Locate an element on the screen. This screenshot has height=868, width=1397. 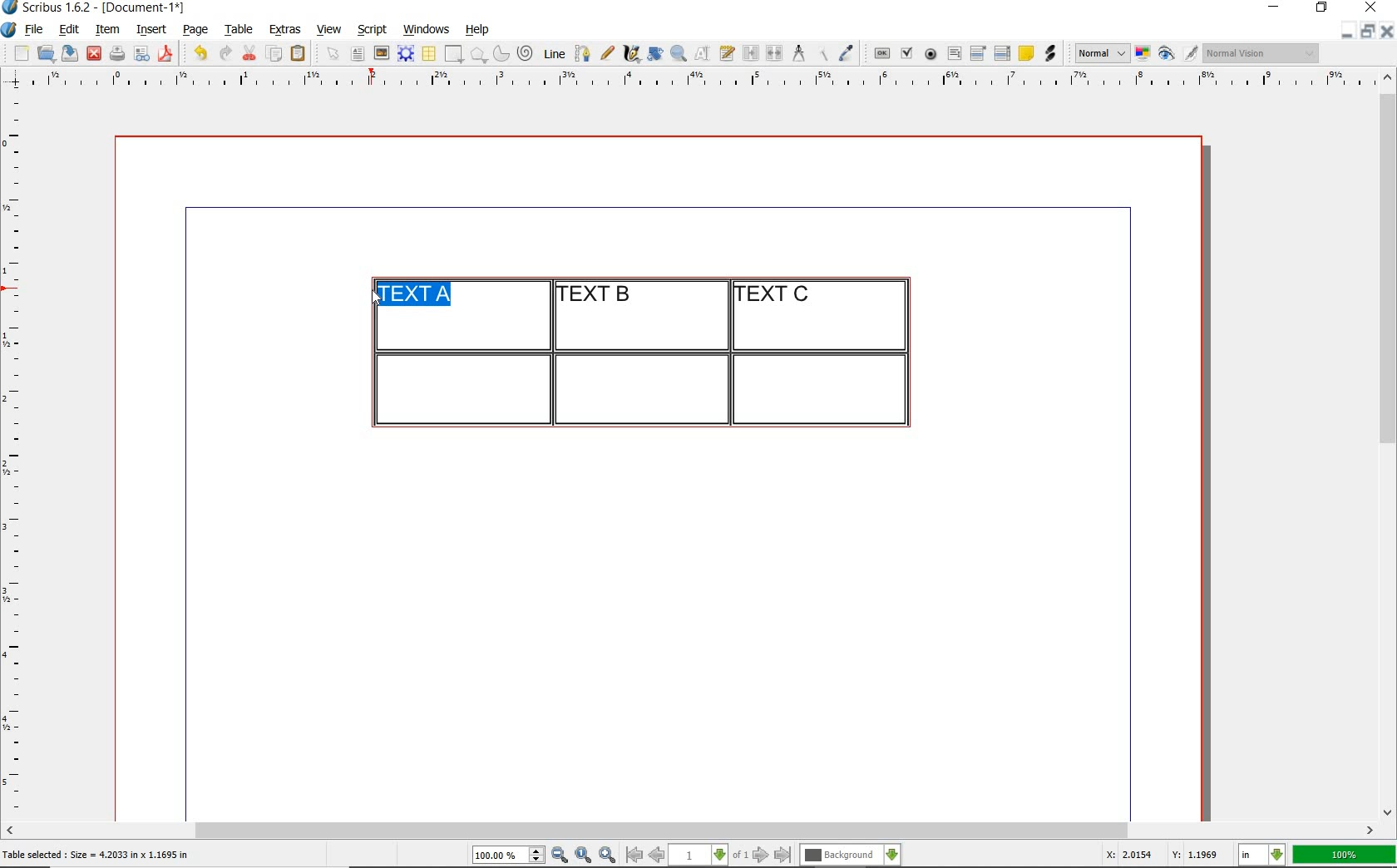
item is located at coordinates (106, 30).